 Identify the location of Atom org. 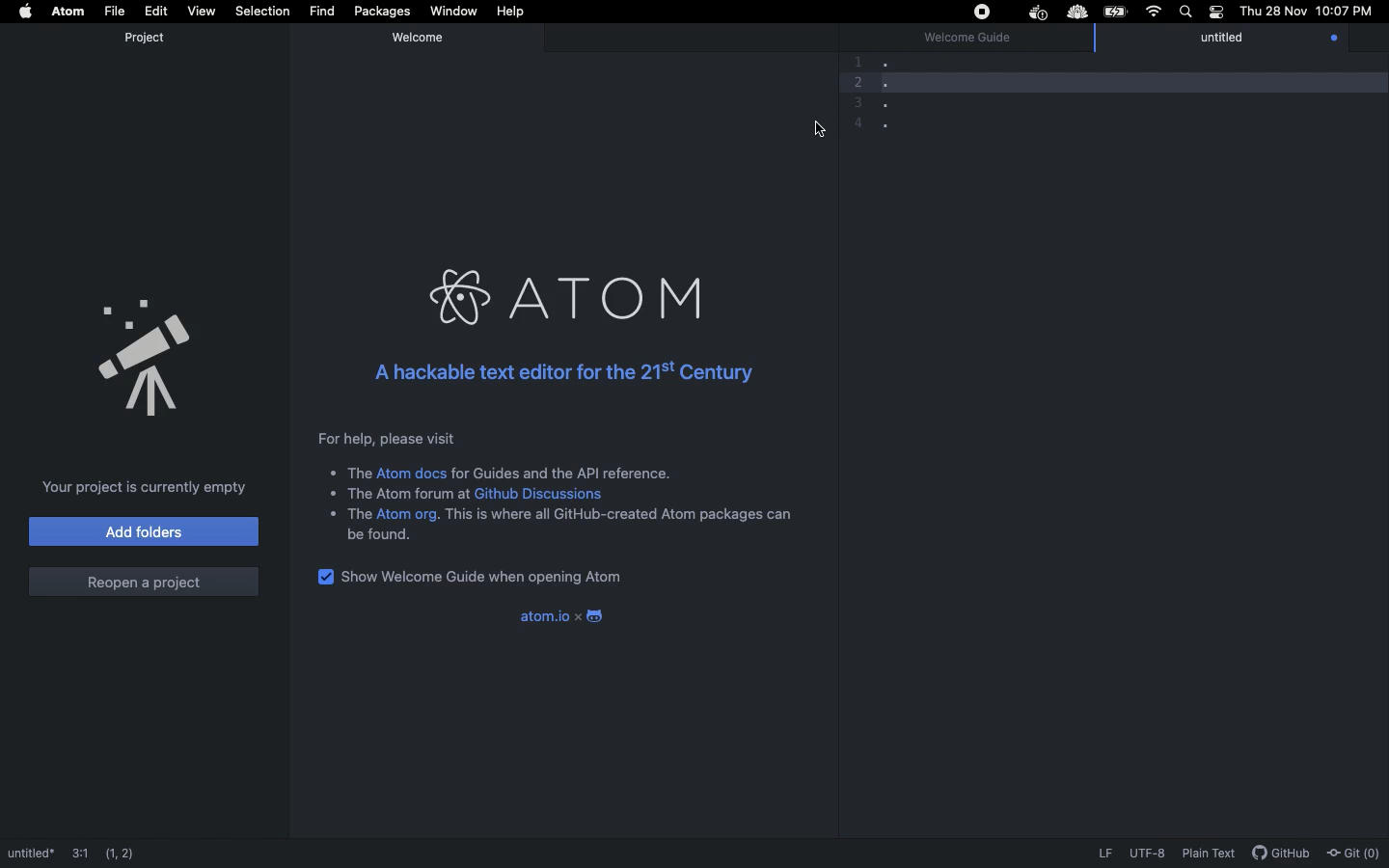
(408, 515).